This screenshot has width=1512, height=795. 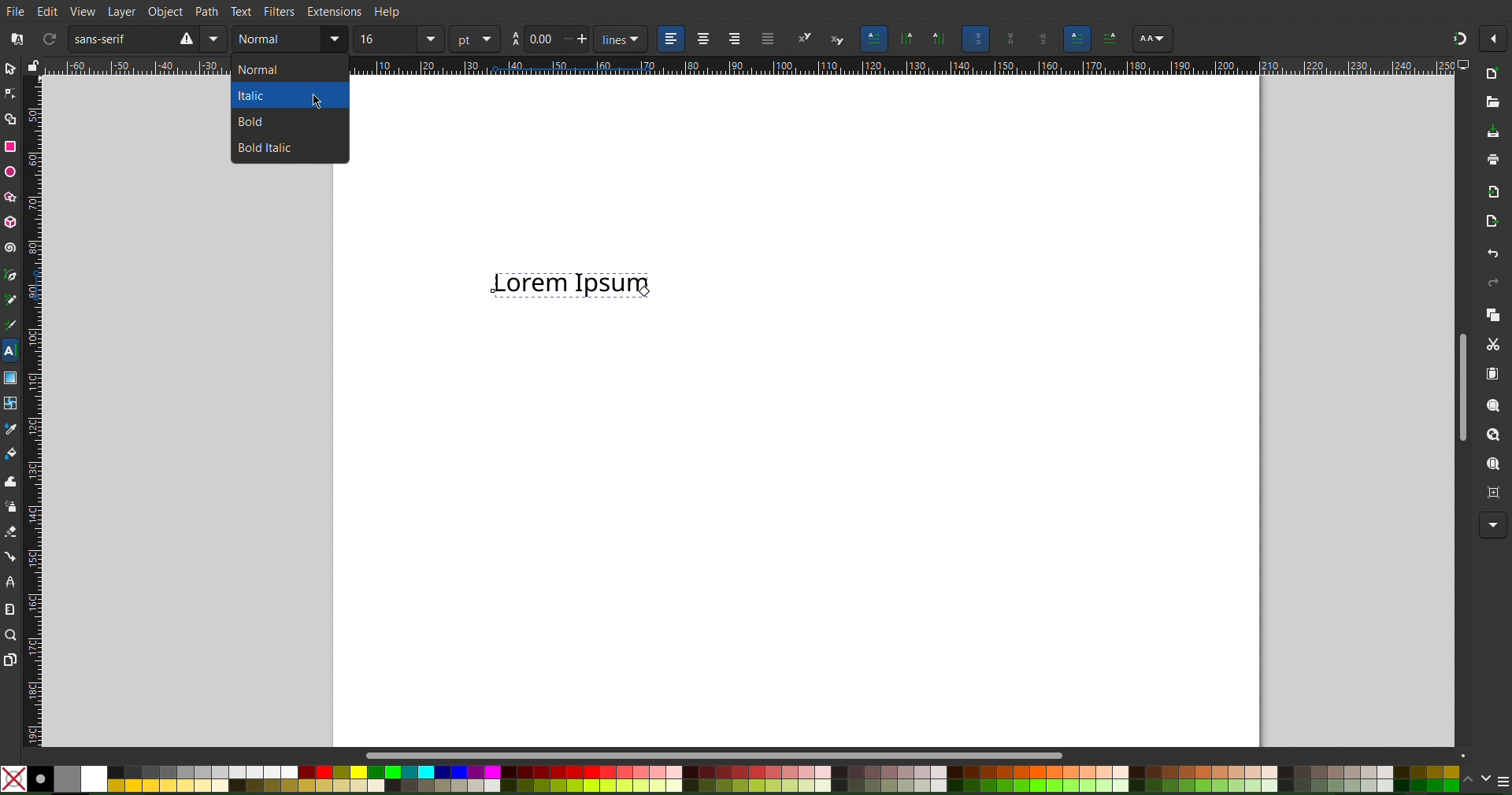 I want to click on Bold, so click(x=268, y=121).